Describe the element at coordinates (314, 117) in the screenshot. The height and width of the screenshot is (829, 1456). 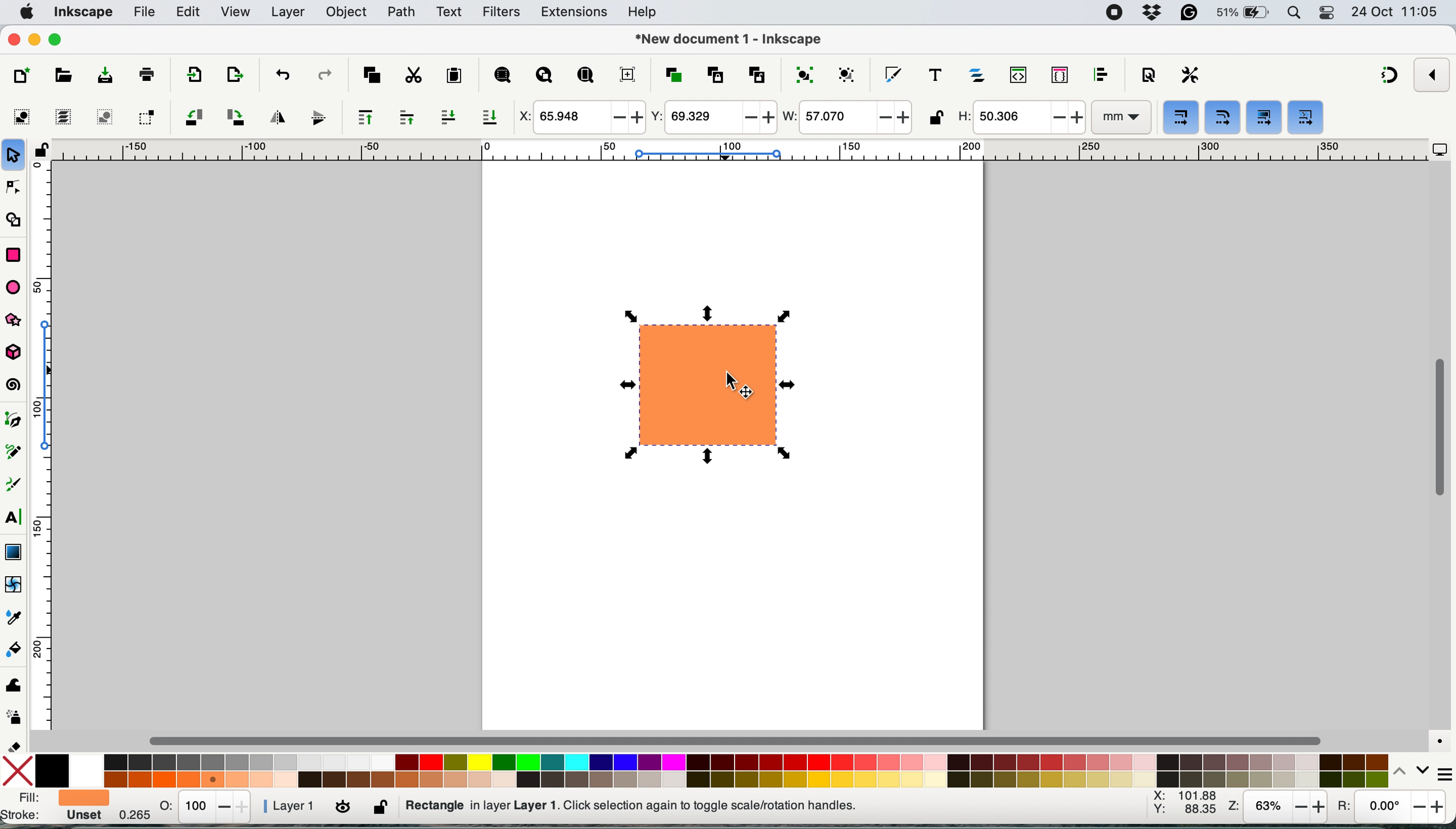
I see `flip vertically` at that location.